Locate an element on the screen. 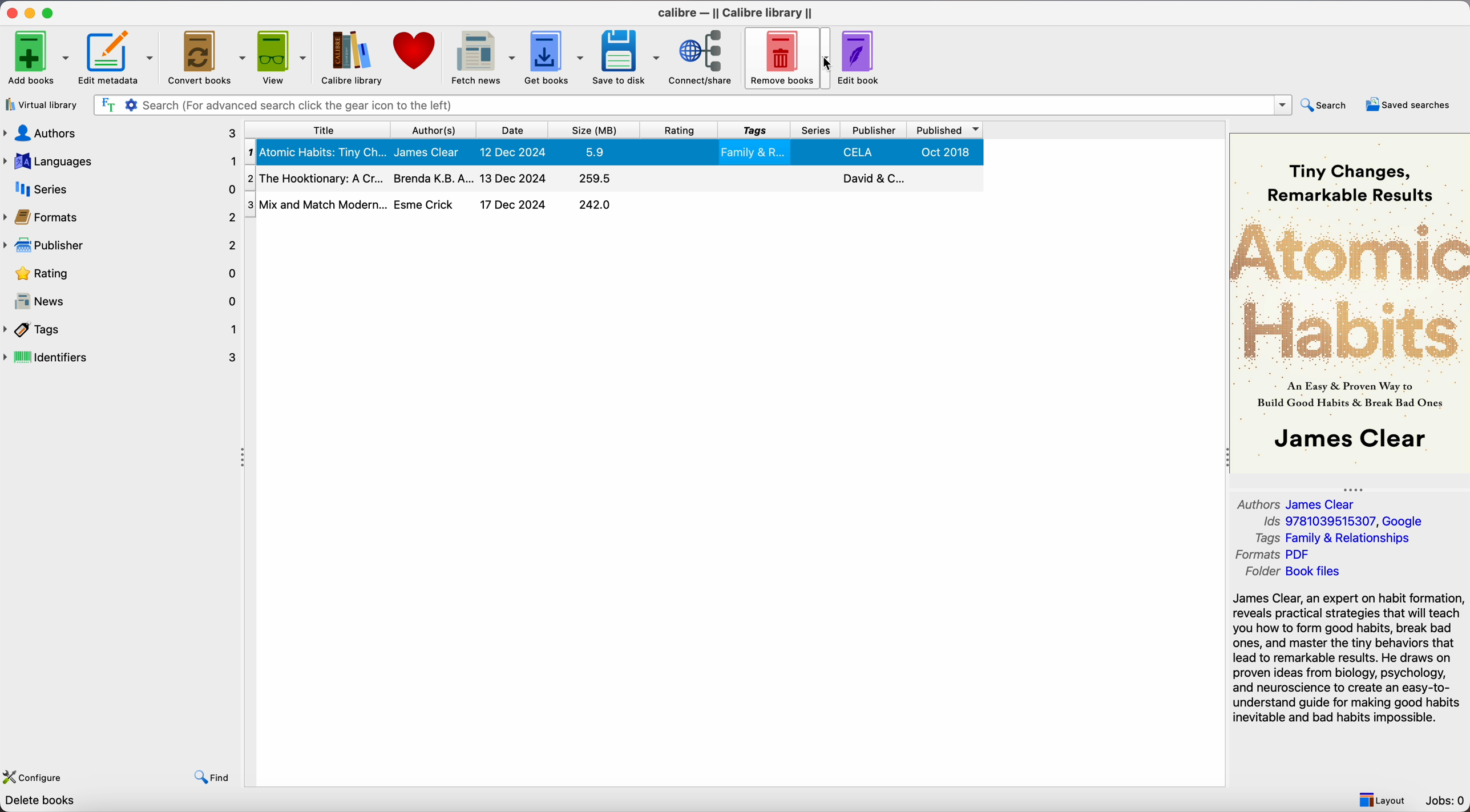 This screenshot has width=1470, height=812. Atomic Habits: Tiny Ch... is located at coordinates (315, 152).